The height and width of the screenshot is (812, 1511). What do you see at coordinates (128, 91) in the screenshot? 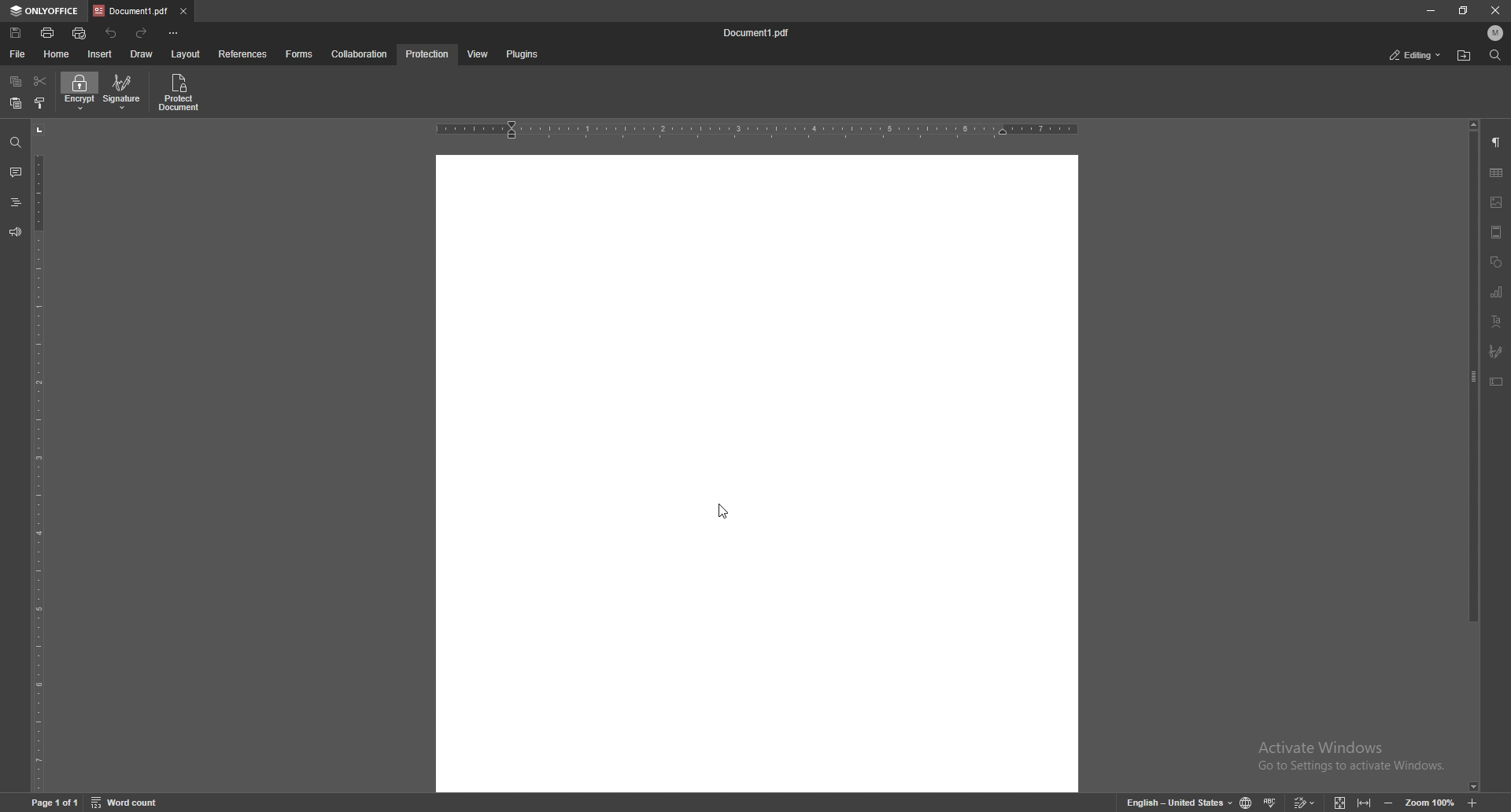
I see `signature` at bounding box center [128, 91].